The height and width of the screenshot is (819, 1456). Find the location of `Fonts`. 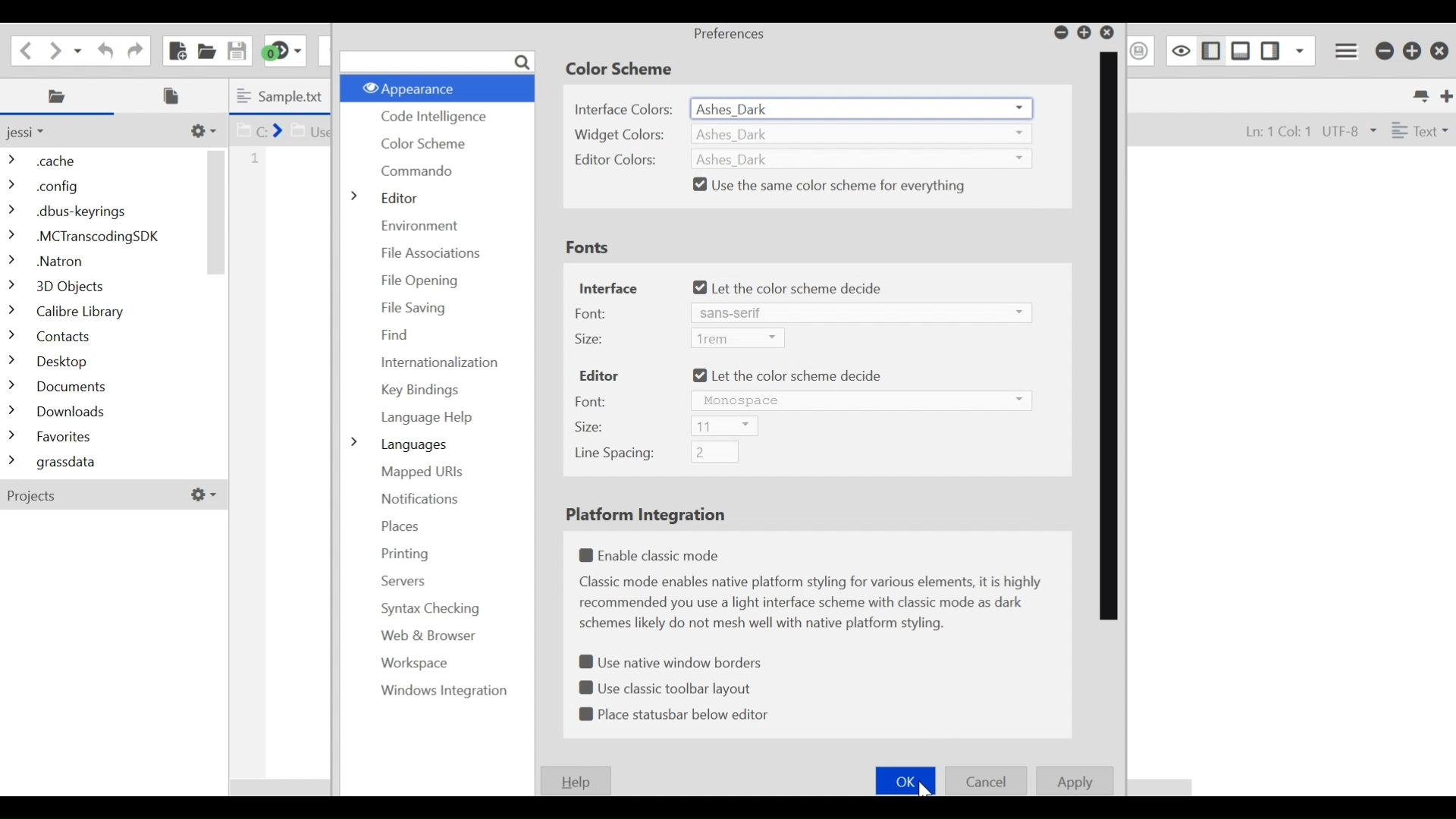

Fonts is located at coordinates (588, 249).